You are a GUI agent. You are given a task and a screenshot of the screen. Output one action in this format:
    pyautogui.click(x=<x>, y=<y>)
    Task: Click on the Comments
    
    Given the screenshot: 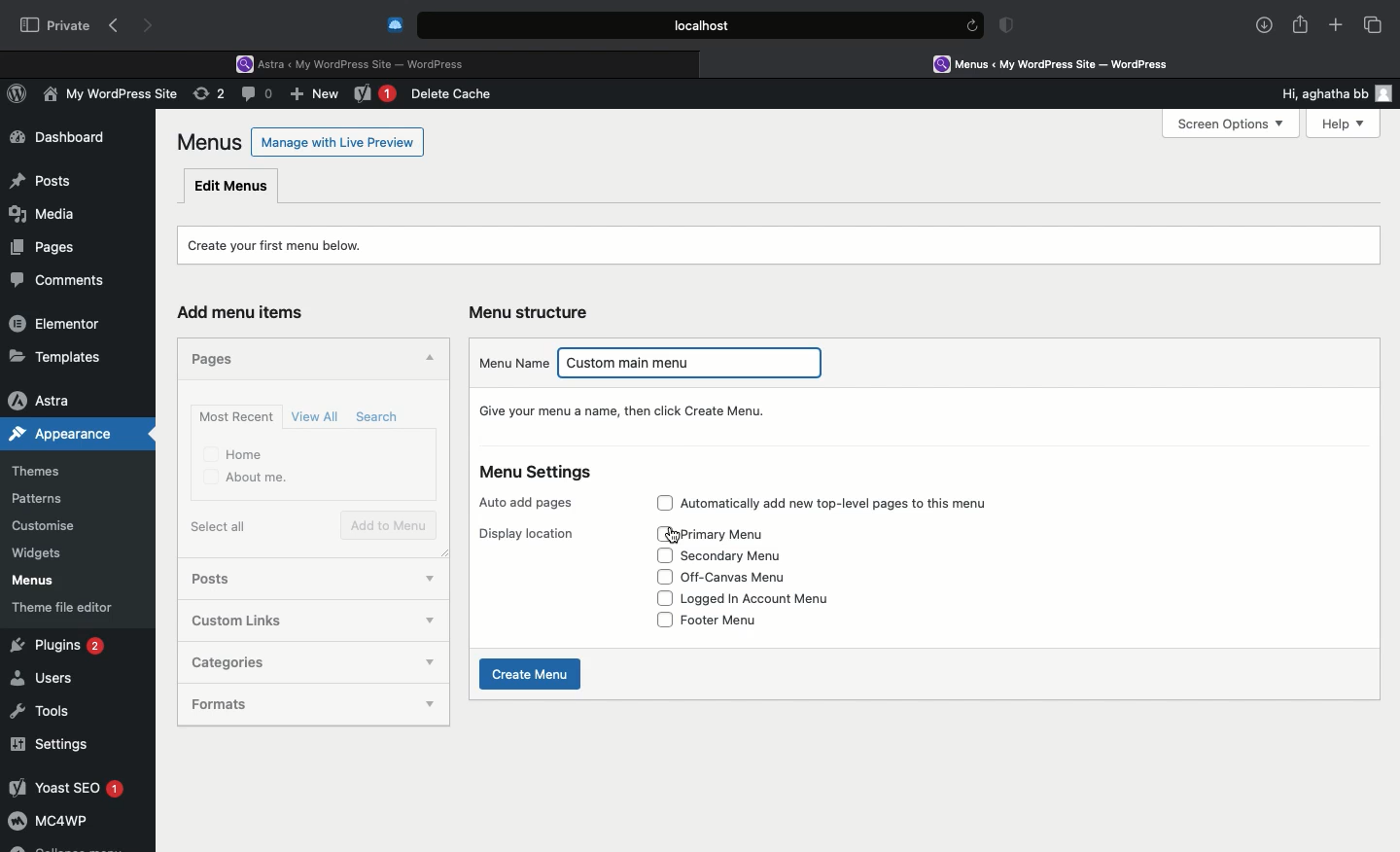 What is the action you would take?
    pyautogui.click(x=66, y=281)
    